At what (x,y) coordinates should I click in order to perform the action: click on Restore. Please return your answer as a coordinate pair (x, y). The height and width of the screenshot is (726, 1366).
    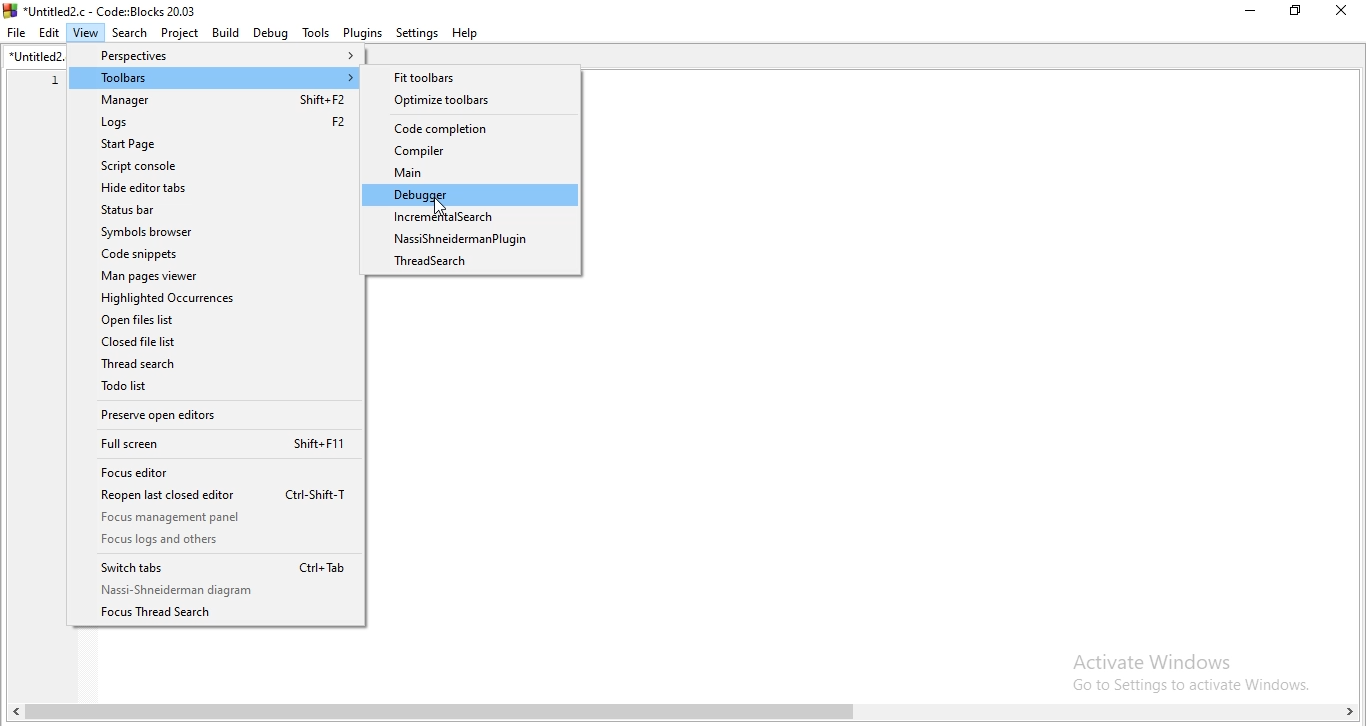
    Looking at the image, I should click on (1297, 11).